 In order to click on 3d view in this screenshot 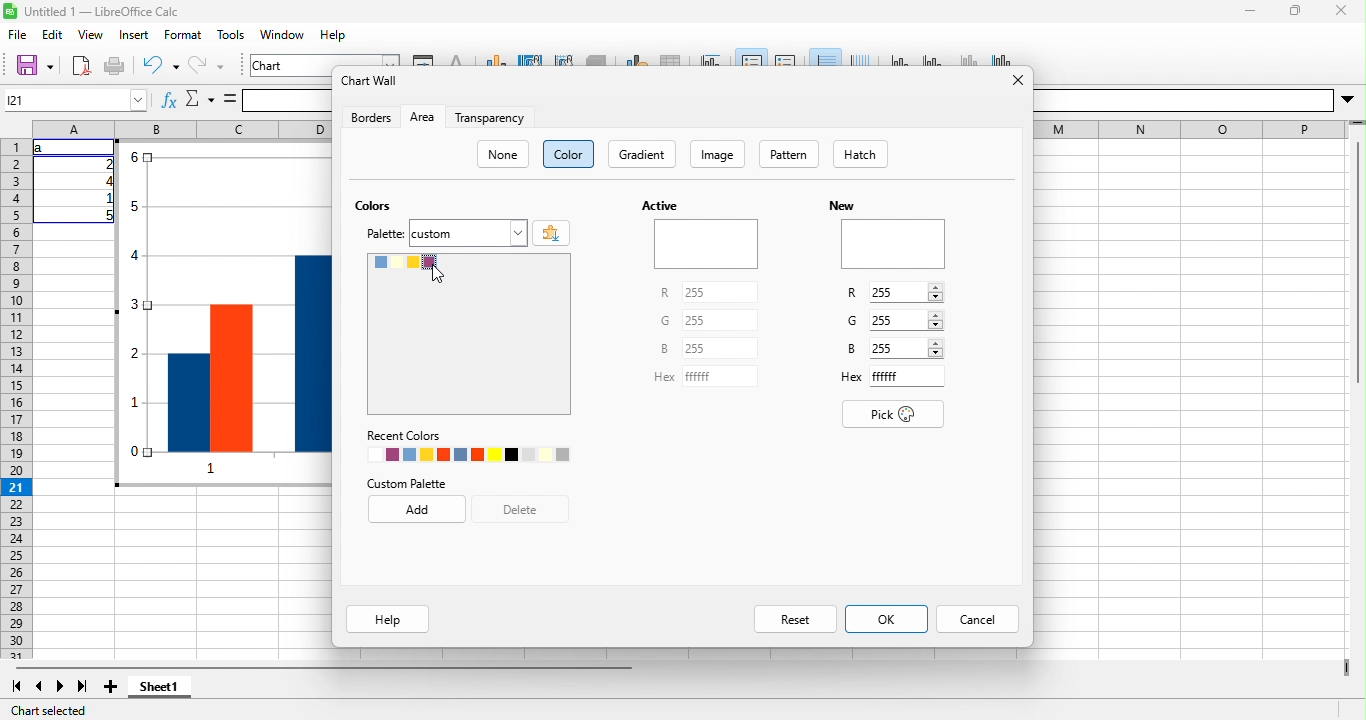, I will do `click(596, 59)`.